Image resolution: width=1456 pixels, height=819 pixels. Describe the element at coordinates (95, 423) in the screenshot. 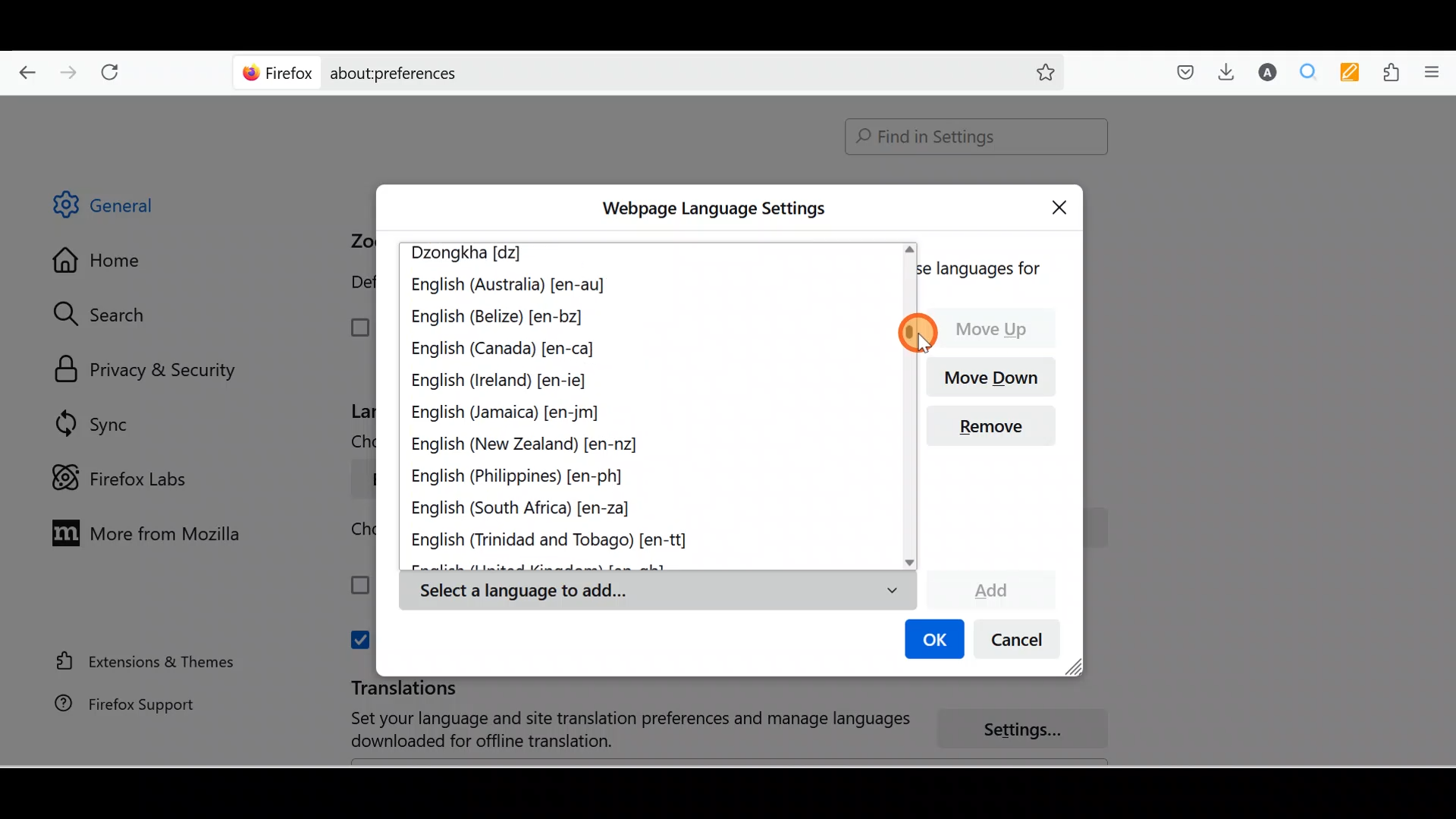

I see `Sync` at that location.